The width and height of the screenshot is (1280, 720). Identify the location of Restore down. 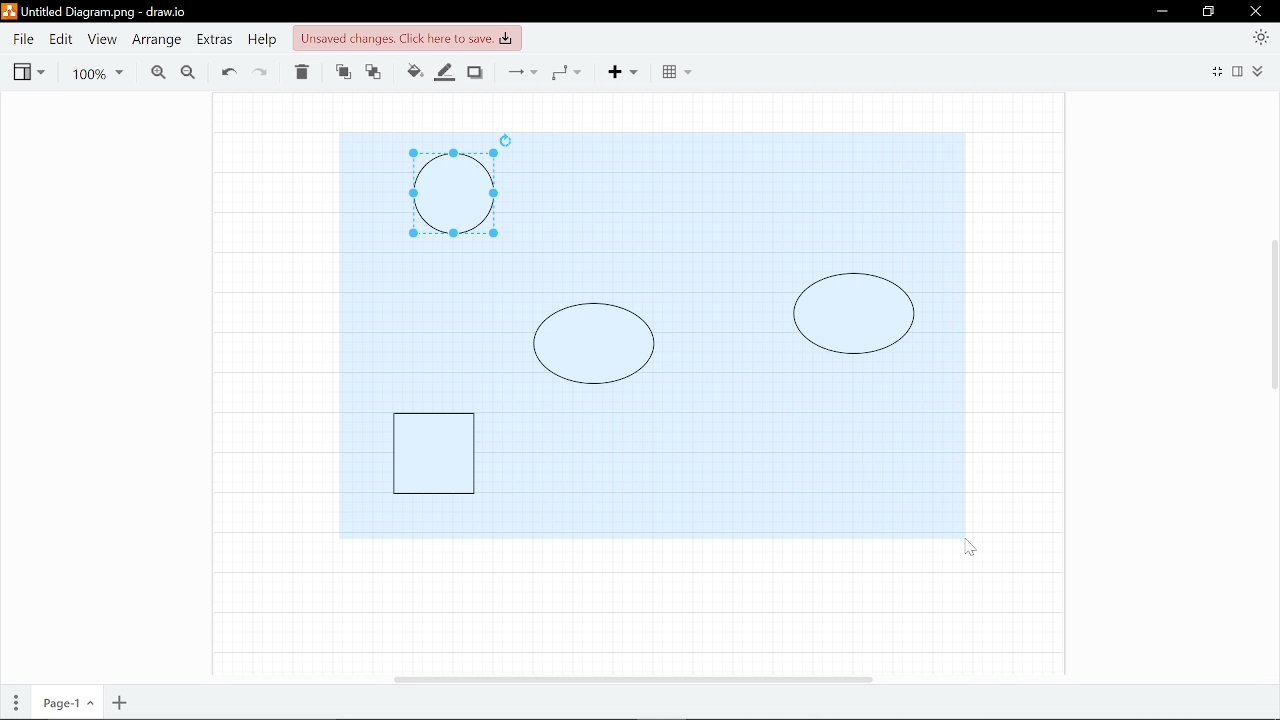
(1209, 12).